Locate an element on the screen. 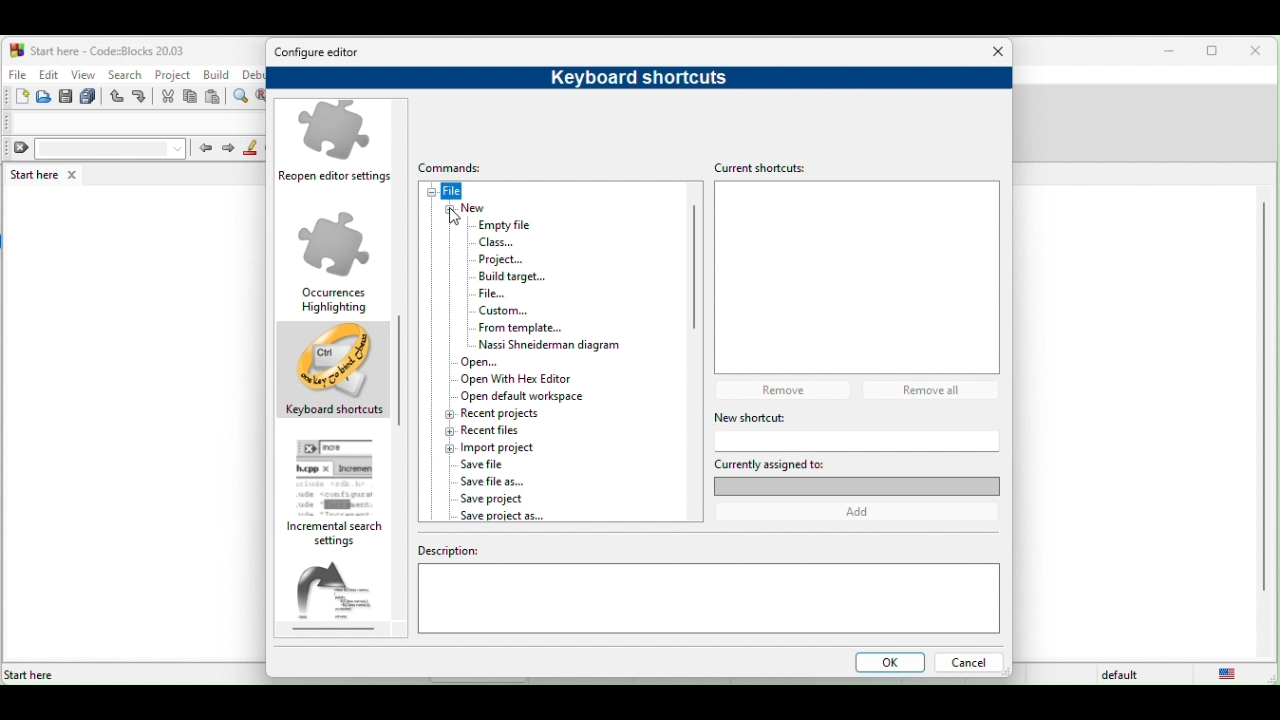 This screenshot has width=1280, height=720. build is located at coordinates (218, 75).